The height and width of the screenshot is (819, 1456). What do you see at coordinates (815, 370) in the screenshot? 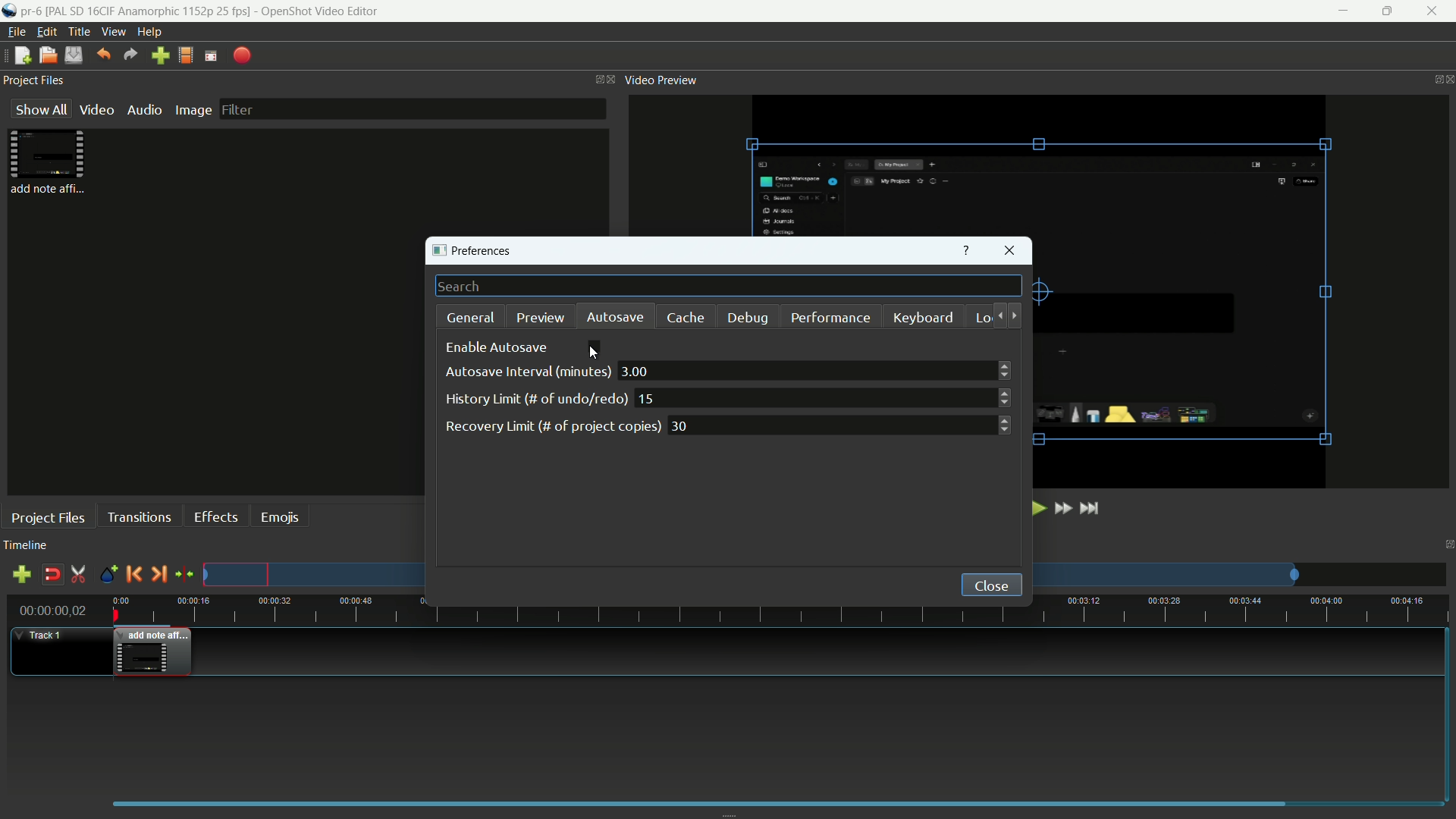
I see `3.00` at bounding box center [815, 370].